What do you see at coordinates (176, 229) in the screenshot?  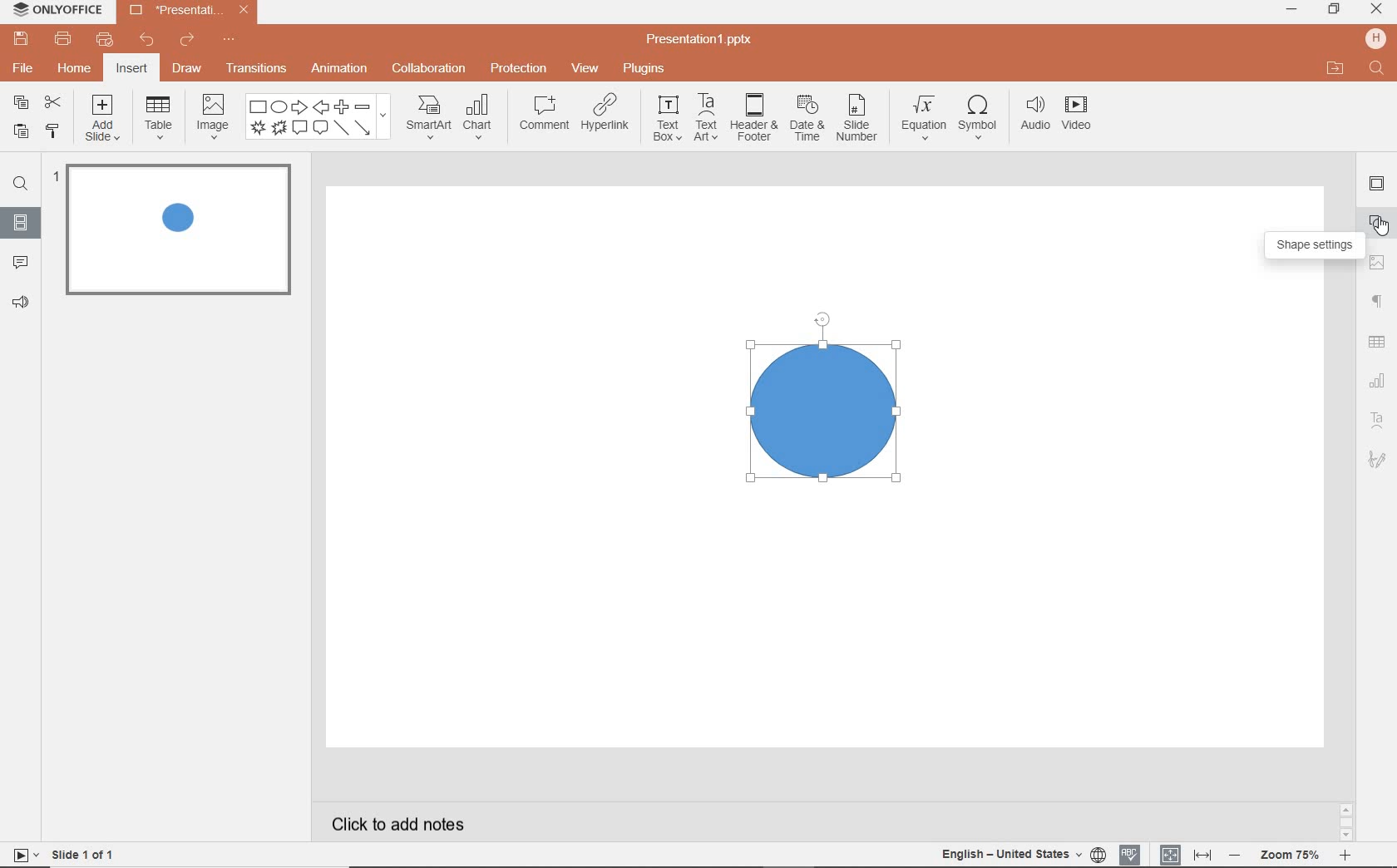 I see `slide` at bounding box center [176, 229].